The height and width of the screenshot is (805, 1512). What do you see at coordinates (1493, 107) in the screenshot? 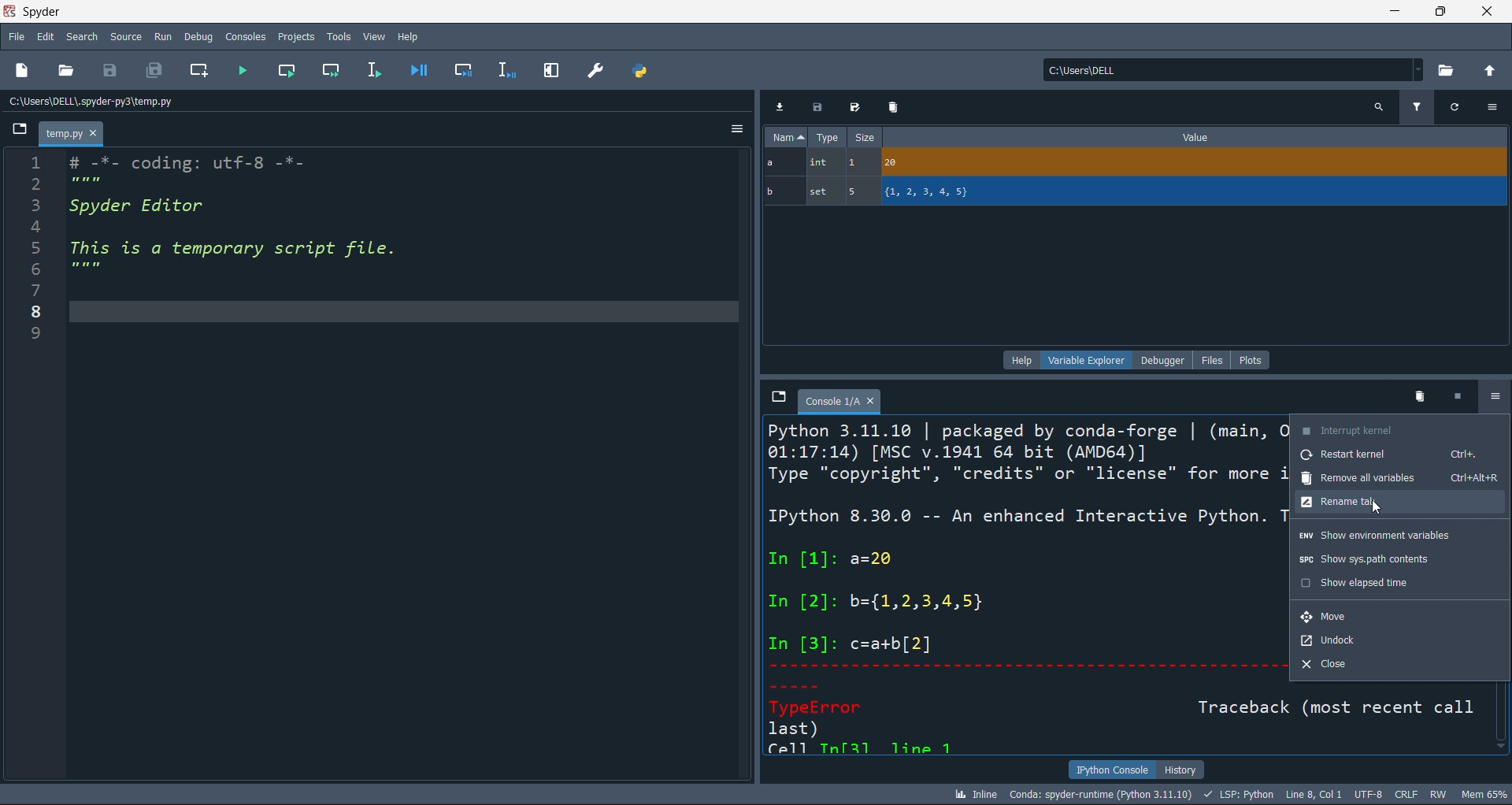
I see `options` at bounding box center [1493, 107].